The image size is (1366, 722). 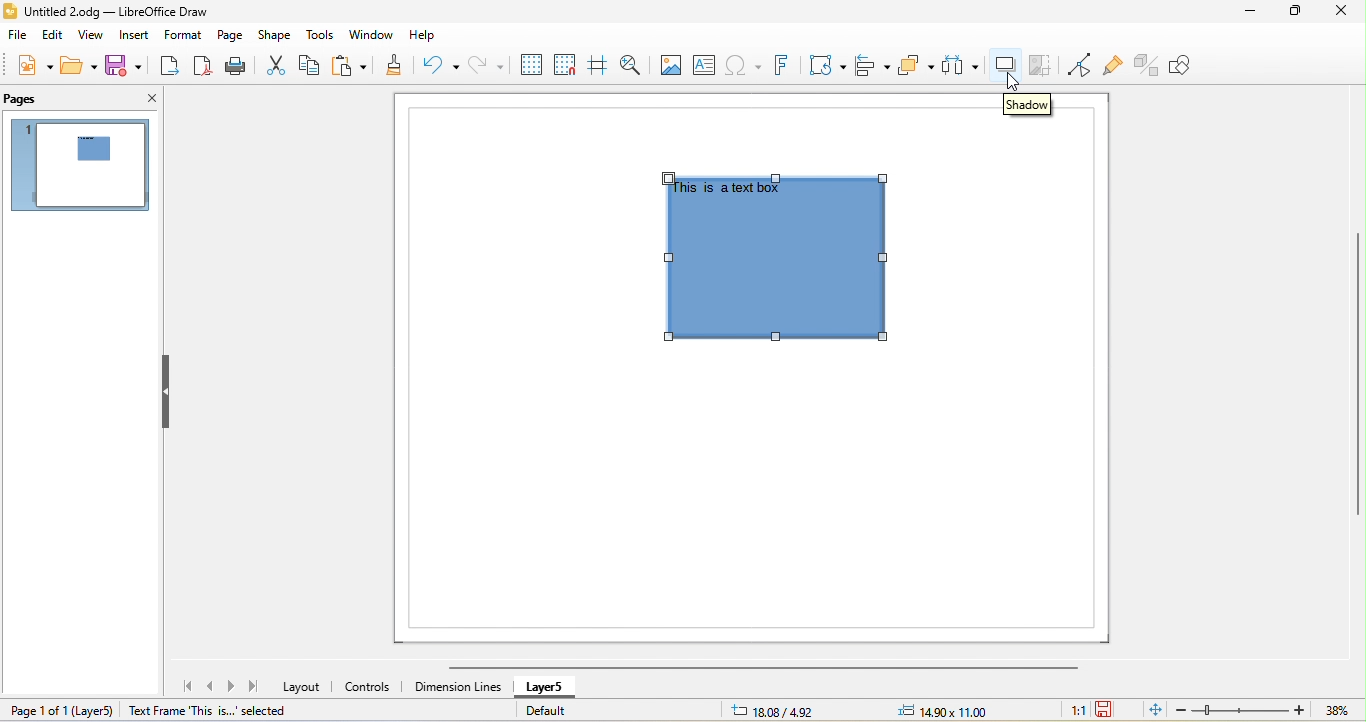 What do you see at coordinates (79, 164) in the screenshot?
I see `page 1` at bounding box center [79, 164].